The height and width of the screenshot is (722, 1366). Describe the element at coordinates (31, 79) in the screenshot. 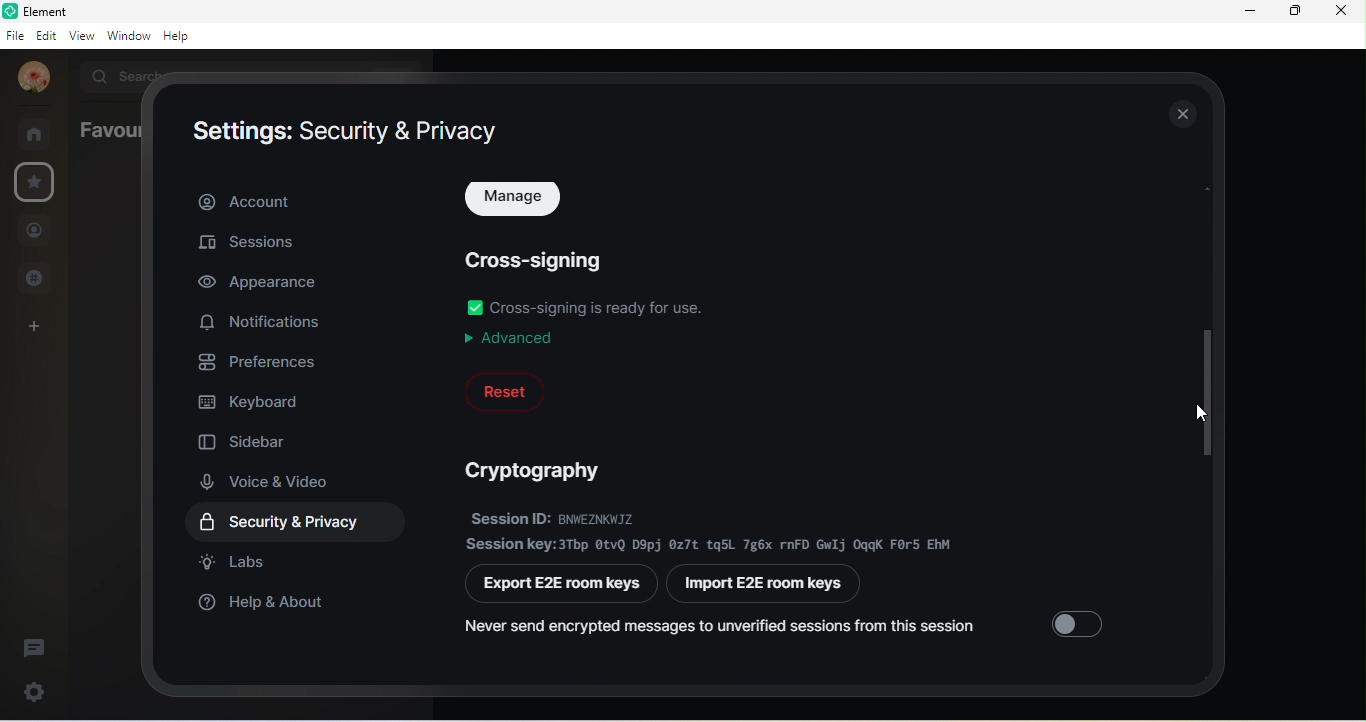

I see `account` at that location.